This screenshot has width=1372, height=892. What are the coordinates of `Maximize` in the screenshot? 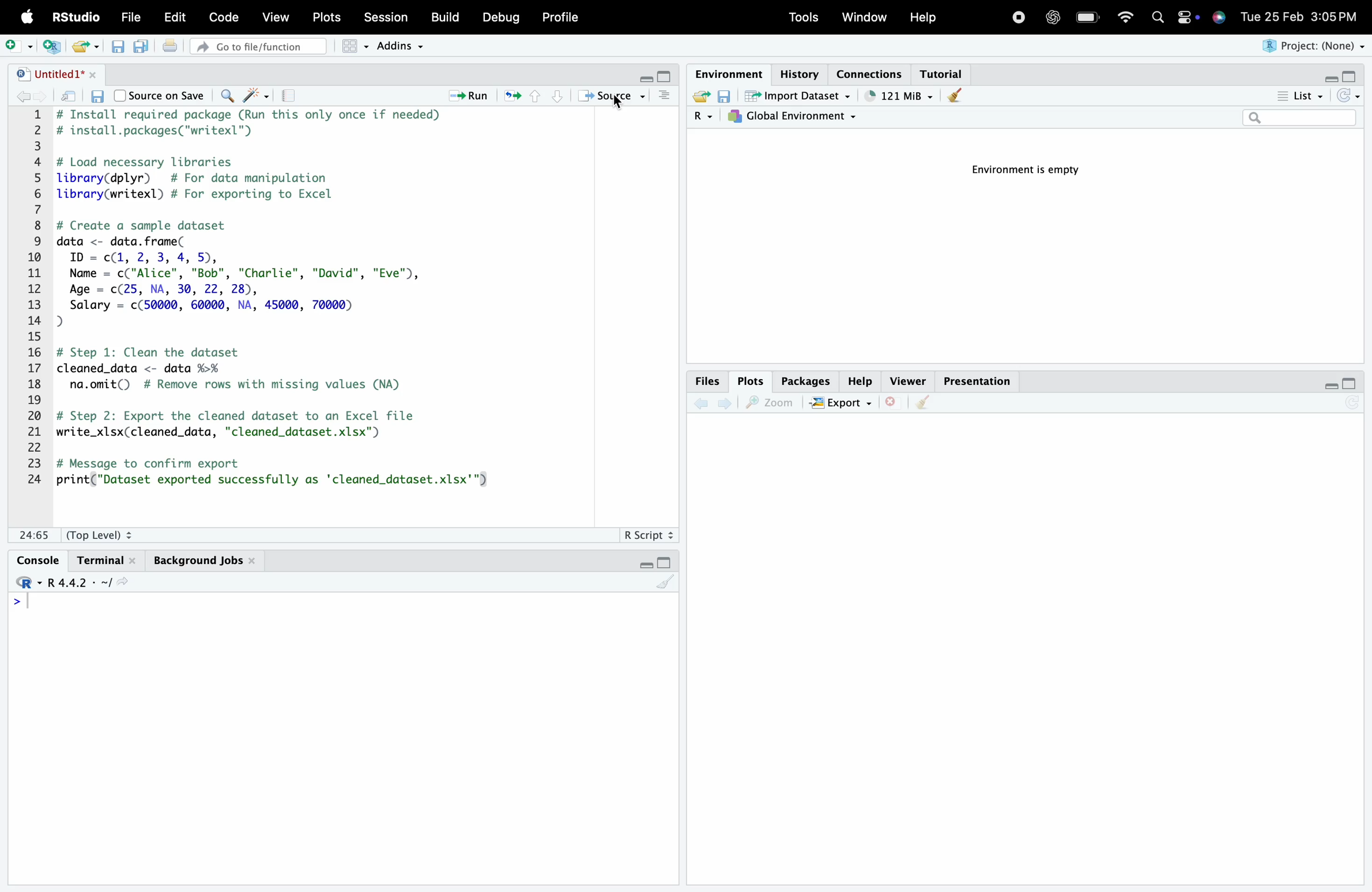 It's located at (664, 562).